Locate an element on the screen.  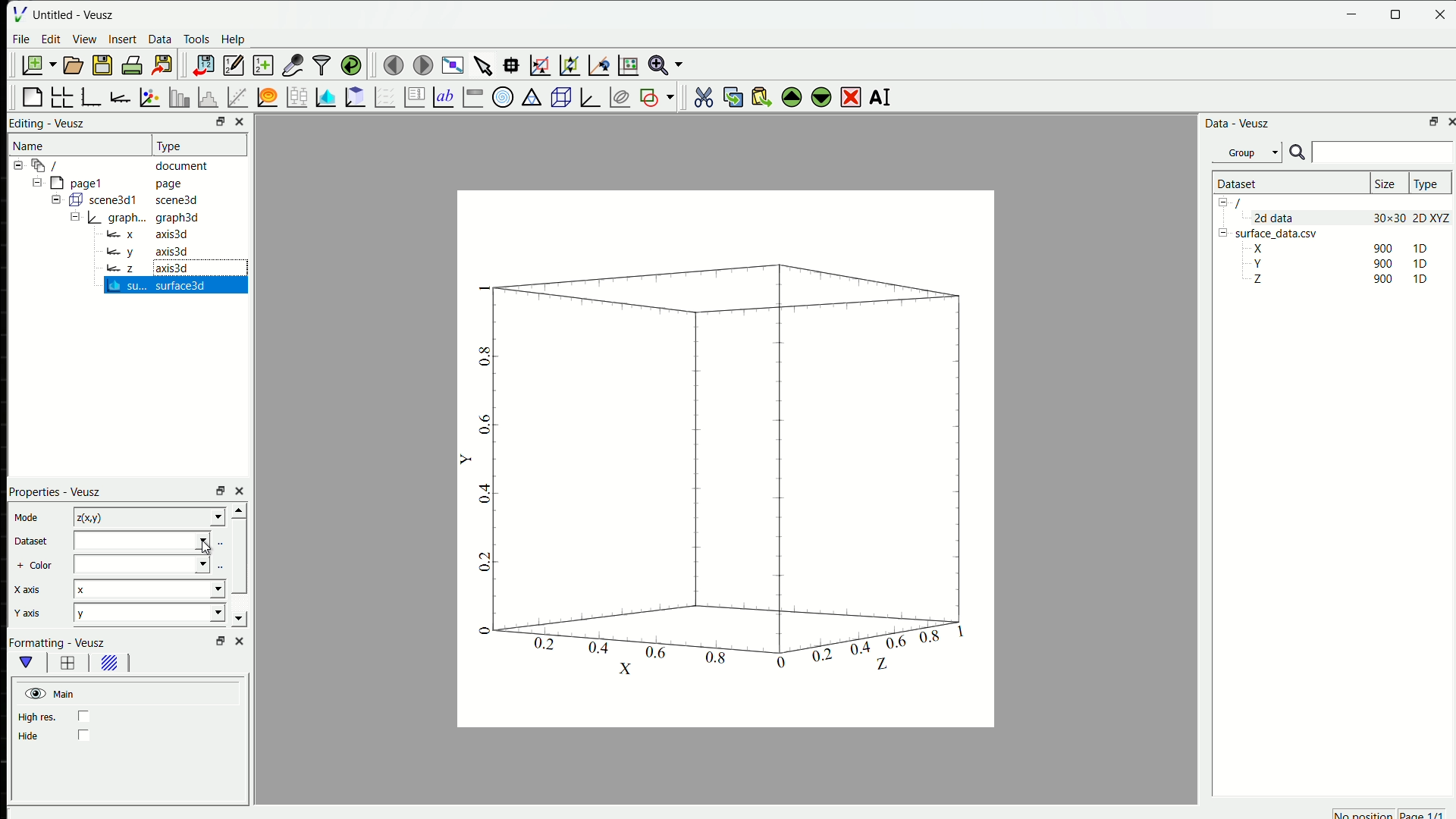
+ Color is located at coordinates (35, 566).